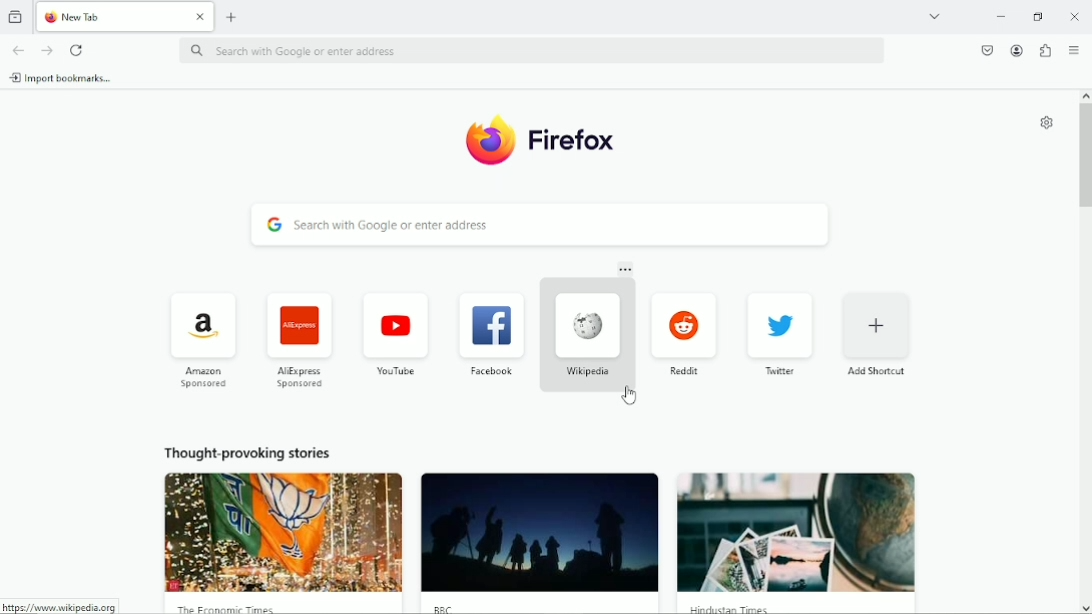 The width and height of the screenshot is (1092, 614). What do you see at coordinates (782, 332) in the screenshot?
I see `Twitter` at bounding box center [782, 332].